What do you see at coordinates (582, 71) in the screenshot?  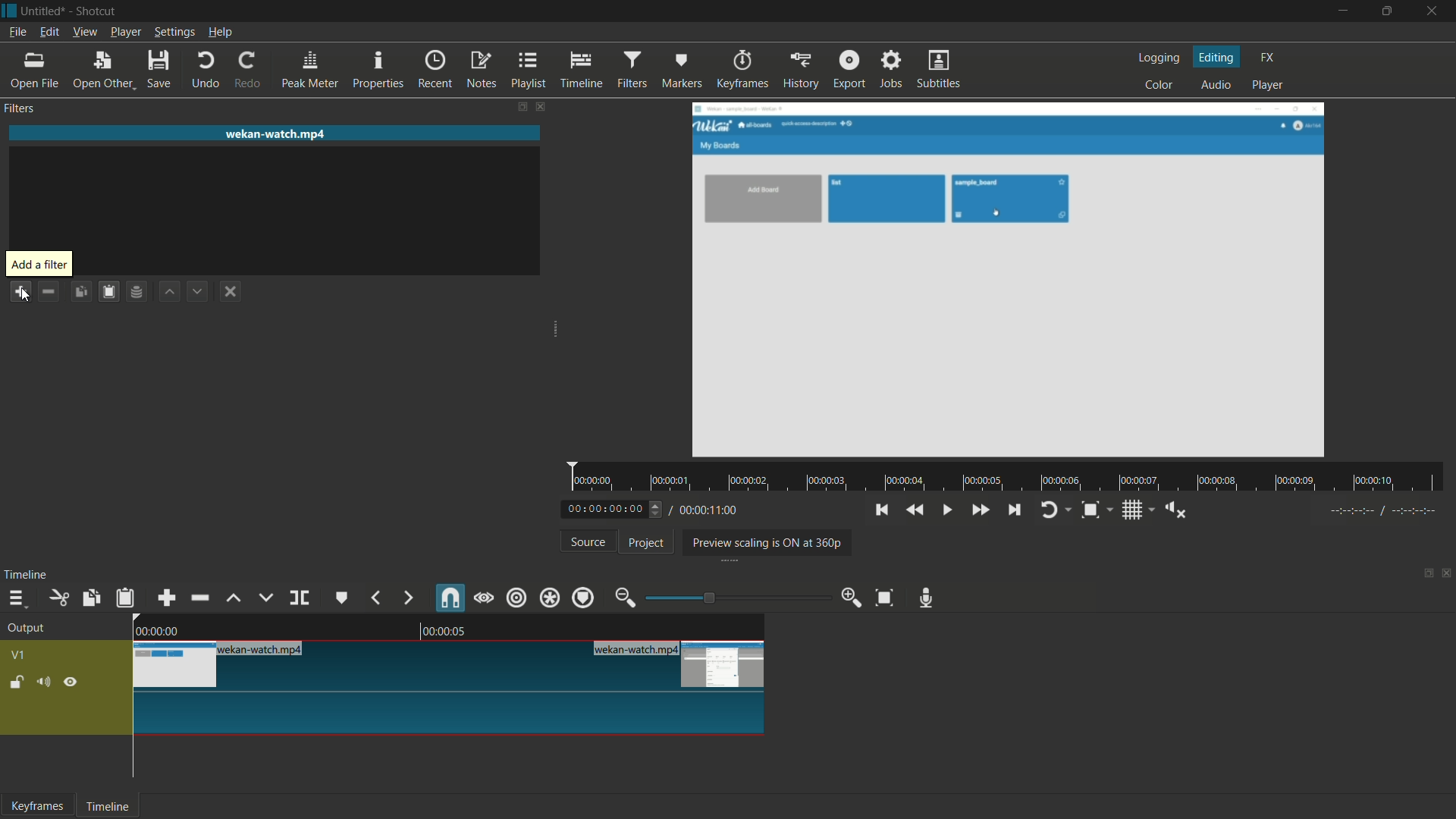 I see `timeline` at bounding box center [582, 71].